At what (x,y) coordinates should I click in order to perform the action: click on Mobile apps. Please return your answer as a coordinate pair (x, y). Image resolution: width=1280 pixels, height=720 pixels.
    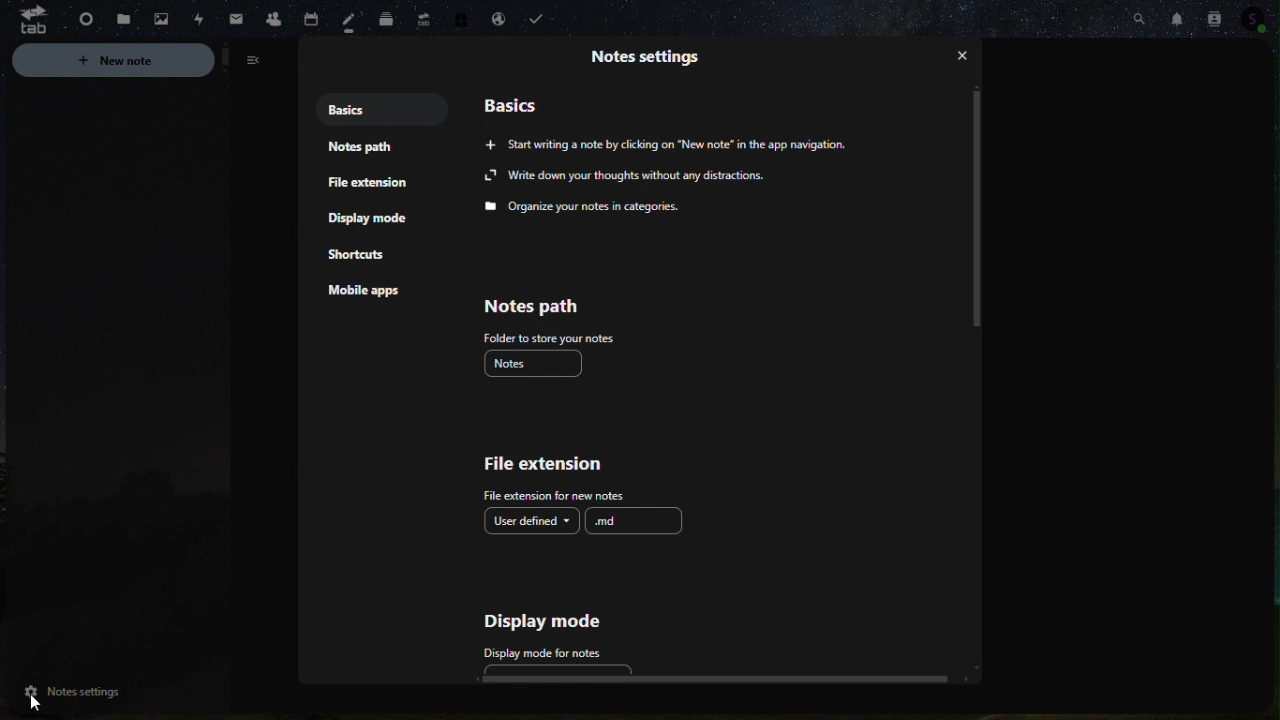
    Looking at the image, I should click on (369, 291).